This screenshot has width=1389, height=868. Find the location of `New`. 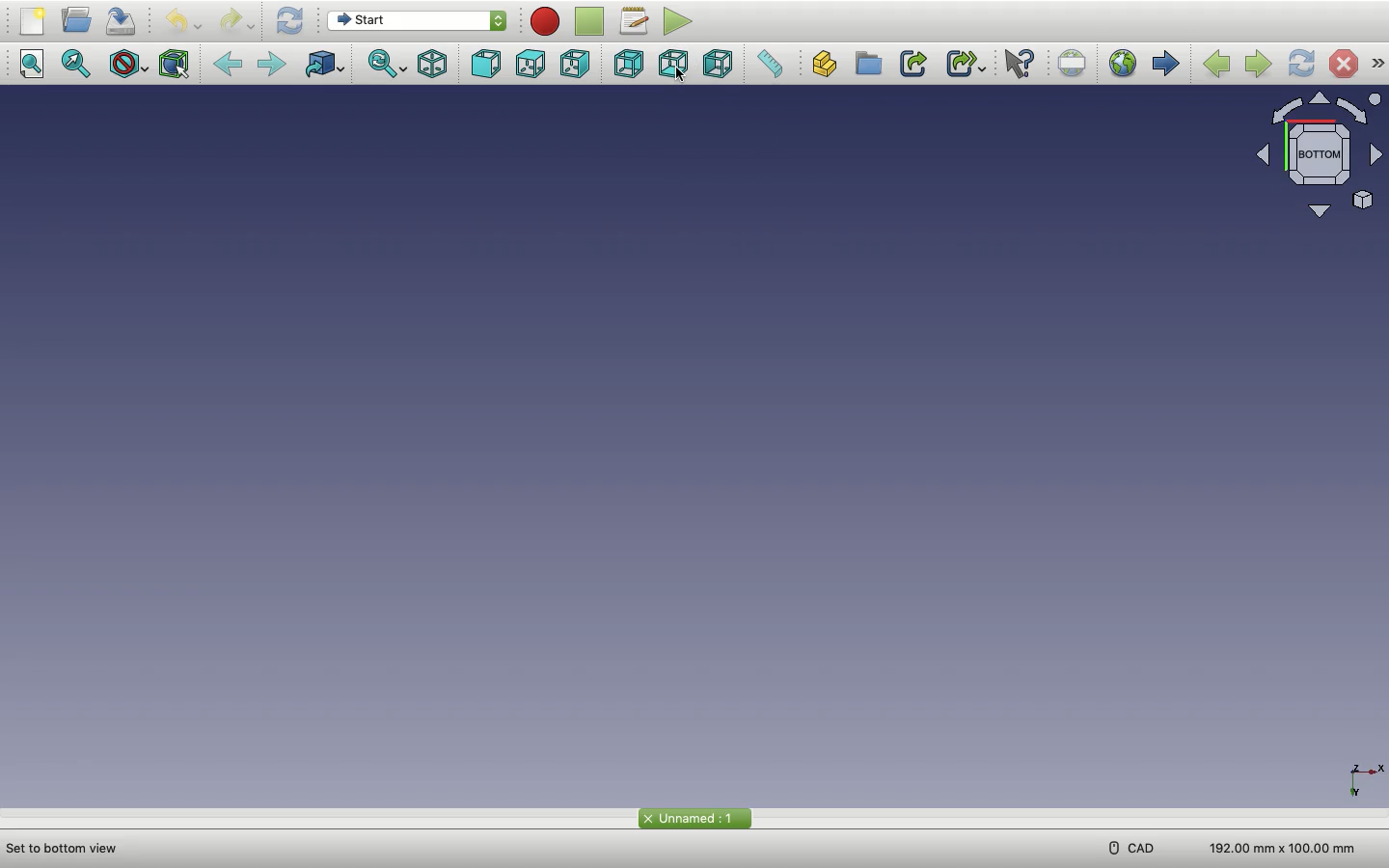

New is located at coordinates (34, 24).